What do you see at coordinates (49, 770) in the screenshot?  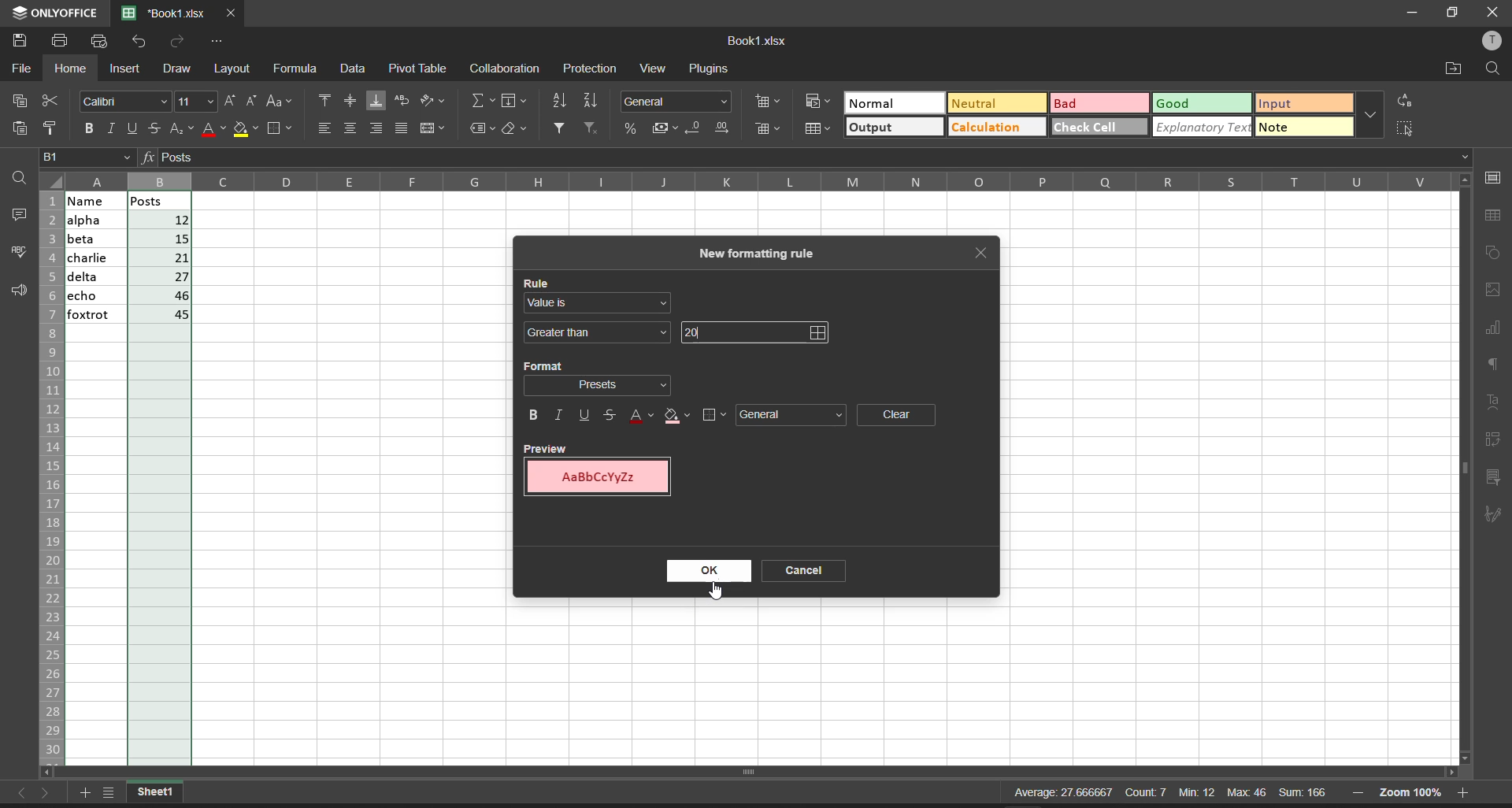 I see `scroll left` at bounding box center [49, 770].